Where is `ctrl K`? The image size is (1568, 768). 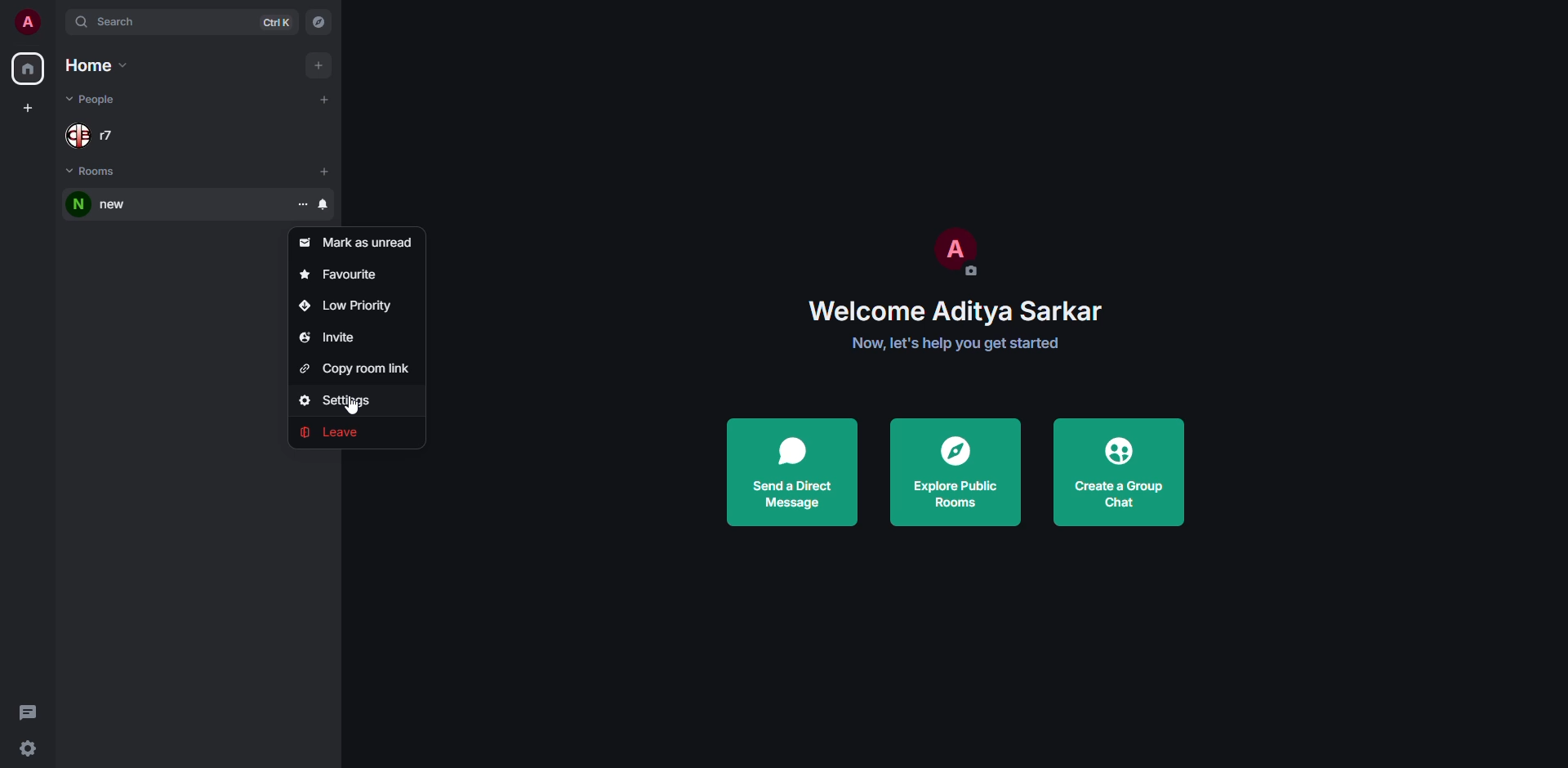 ctrl K is located at coordinates (276, 23).